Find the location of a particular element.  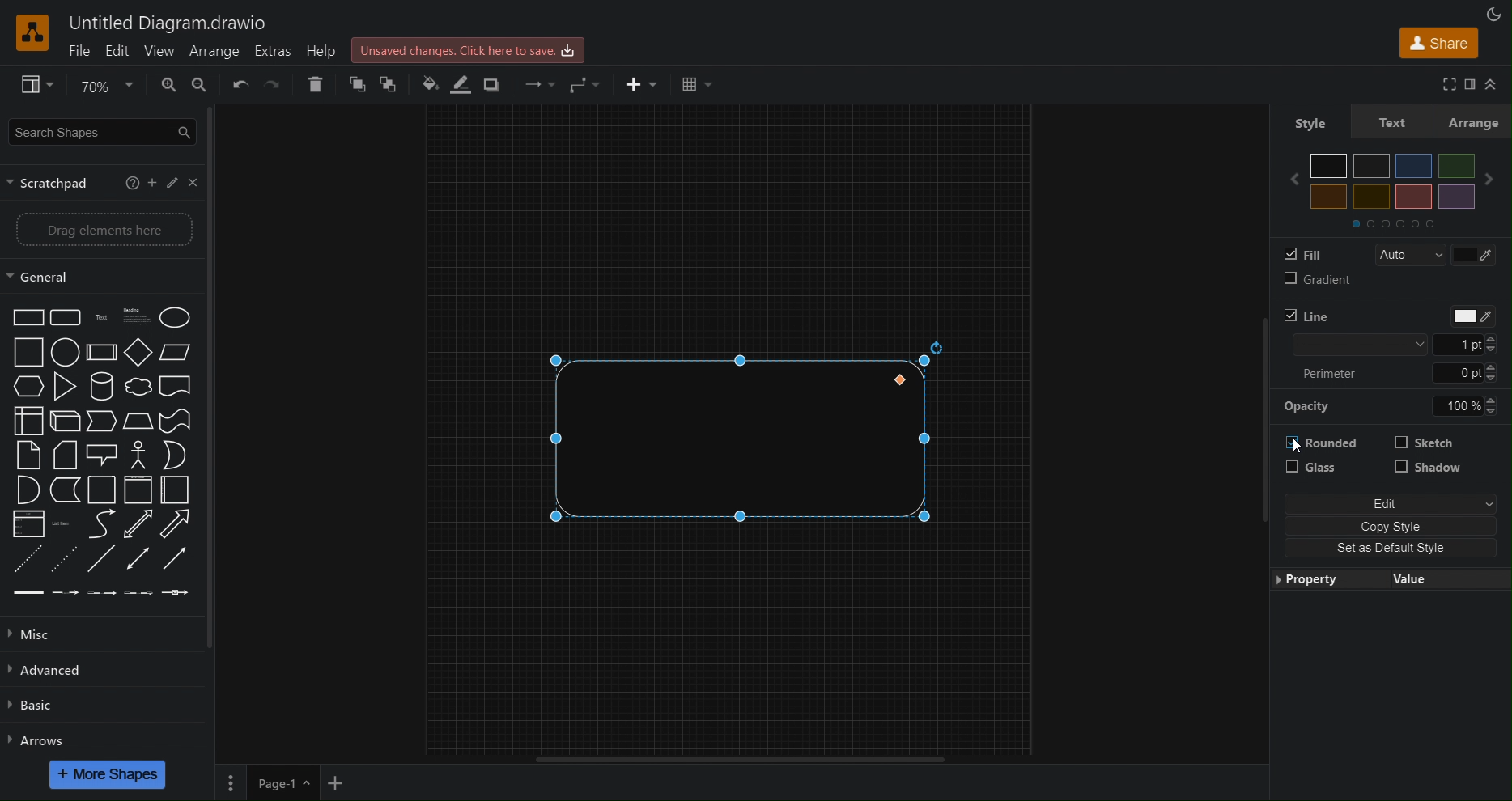

Glass is located at coordinates (1320, 472).